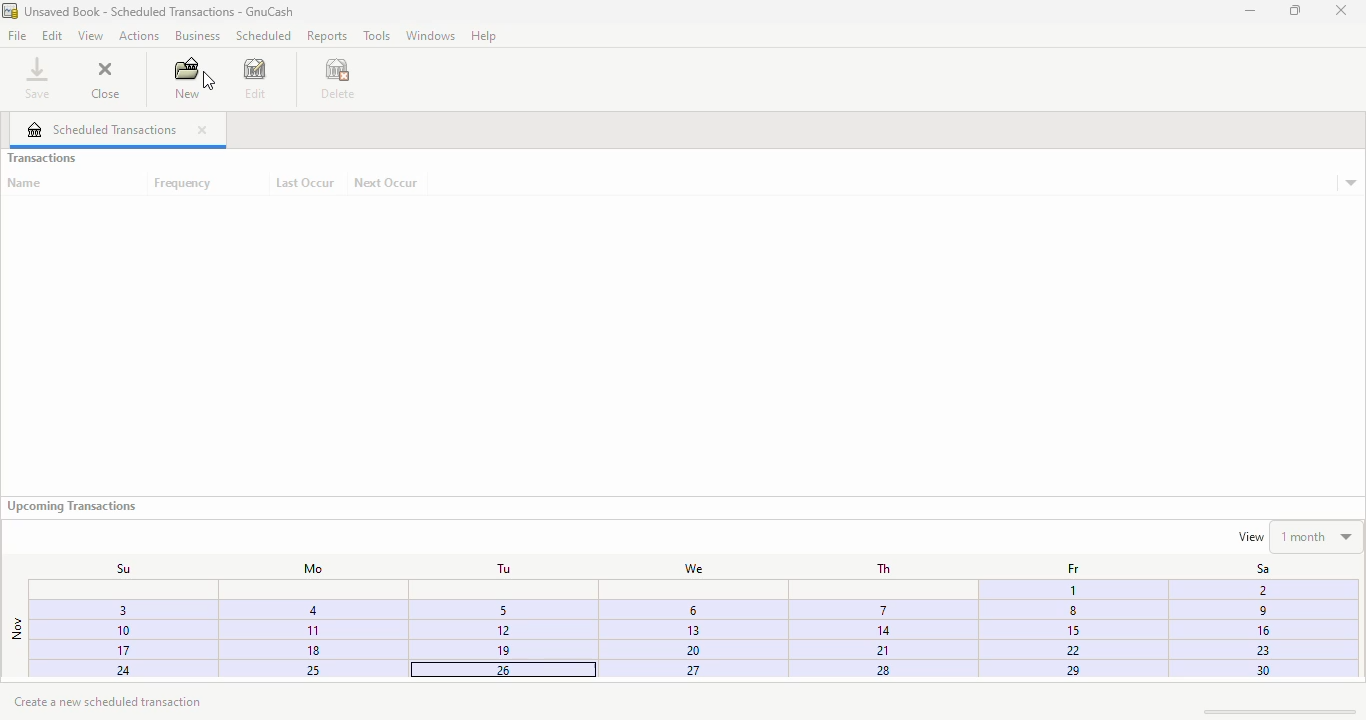 This screenshot has width=1366, height=720. I want to click on nov, so click(16, 629).